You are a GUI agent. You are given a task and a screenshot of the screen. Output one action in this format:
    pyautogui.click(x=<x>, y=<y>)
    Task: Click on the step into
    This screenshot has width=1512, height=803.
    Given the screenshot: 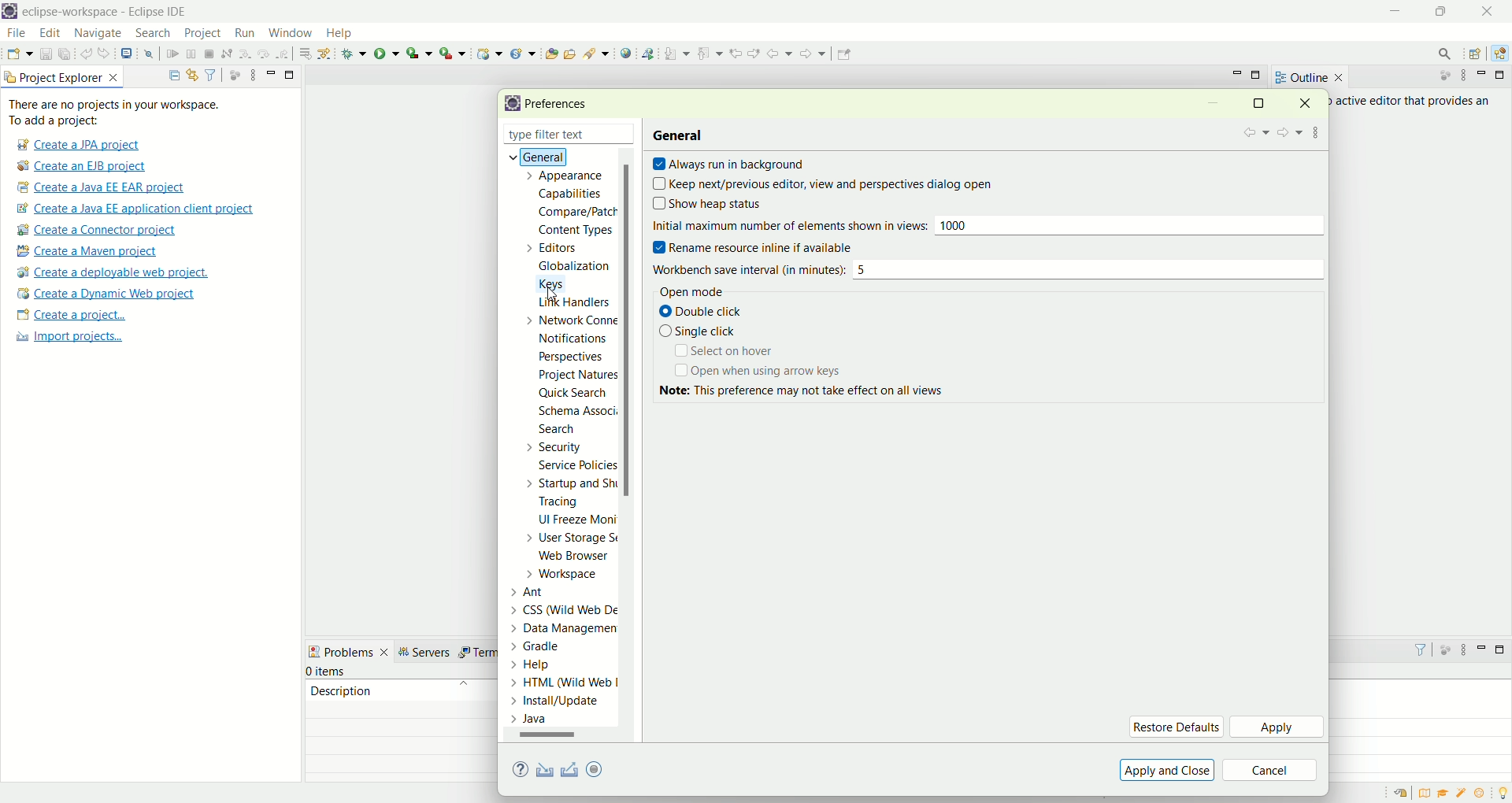 What is the action you would take?
    pyautogui.click(x=245, y=52)
    